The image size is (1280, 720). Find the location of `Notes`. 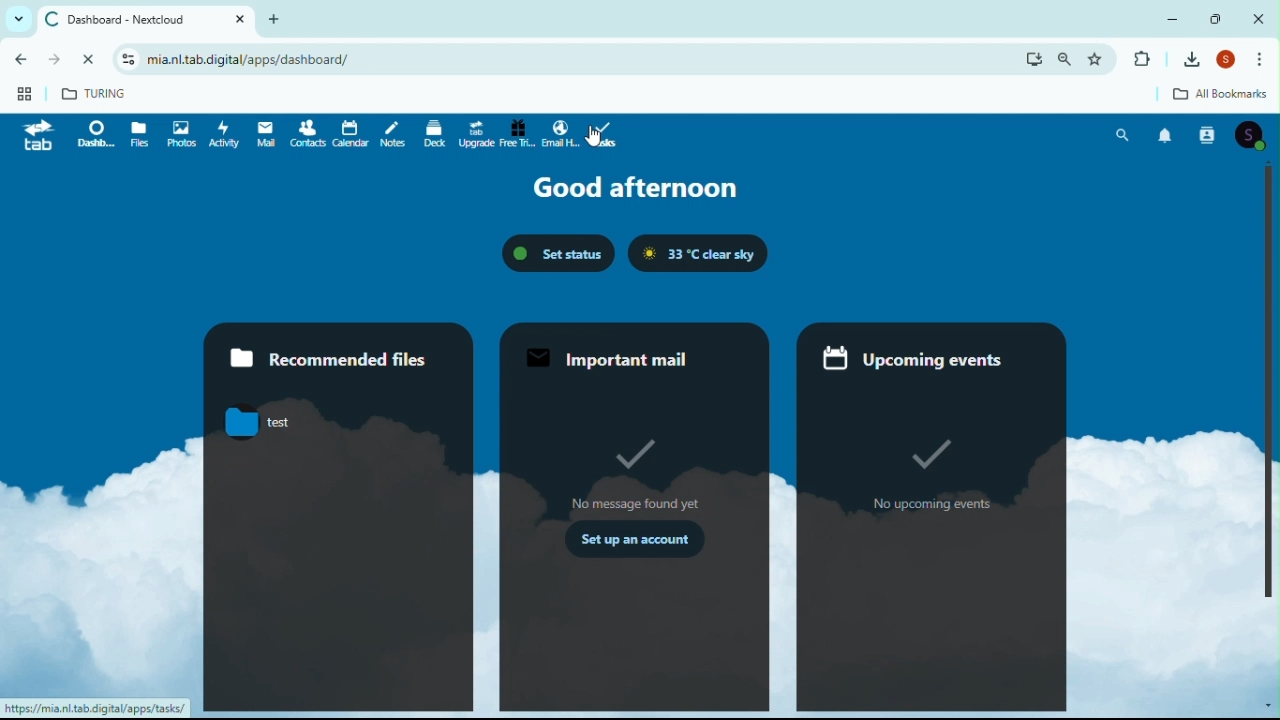

Notes is located at coordinates (395, 138).